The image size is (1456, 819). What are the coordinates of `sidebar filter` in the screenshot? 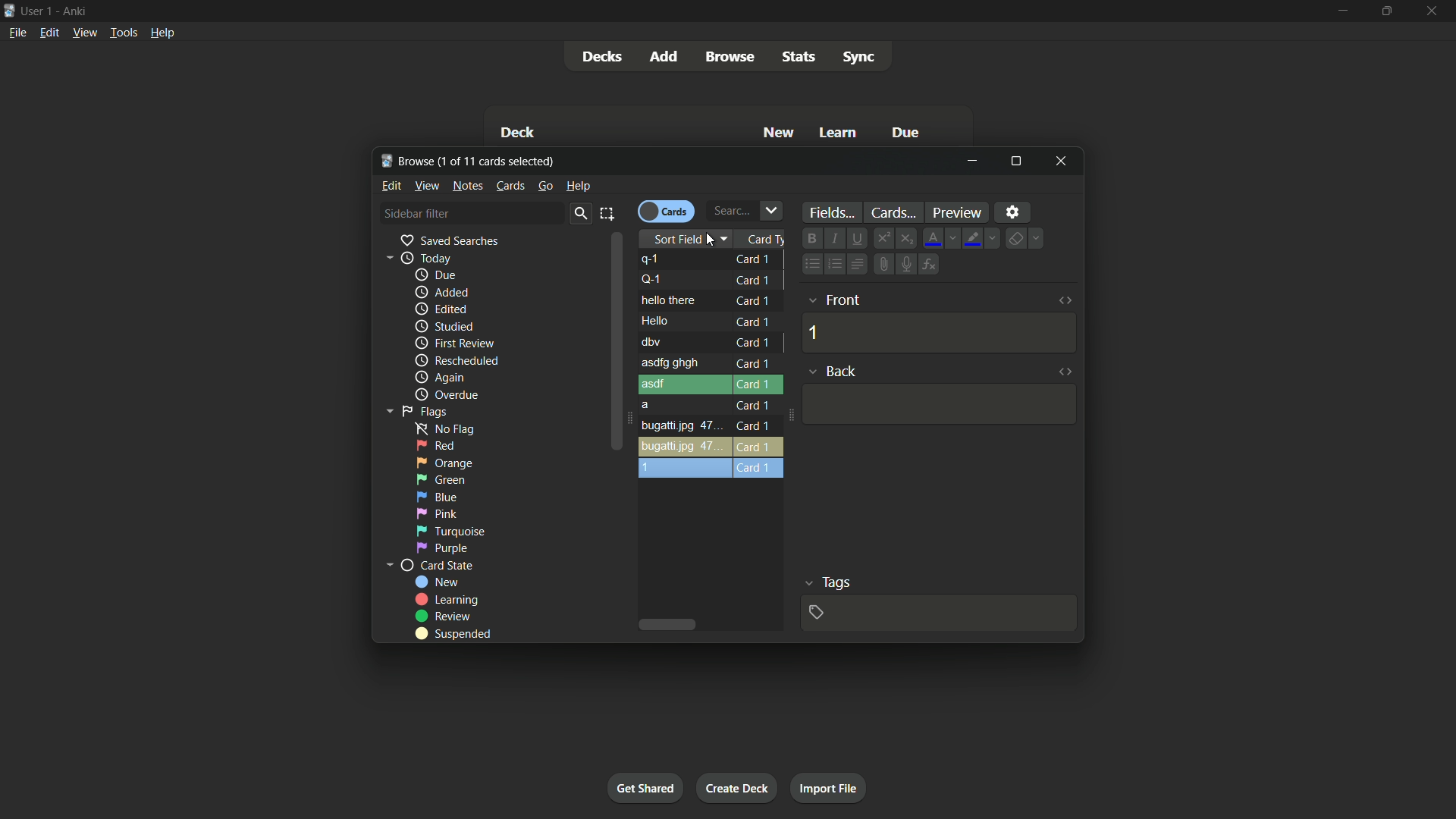 It's located at (423, 213).